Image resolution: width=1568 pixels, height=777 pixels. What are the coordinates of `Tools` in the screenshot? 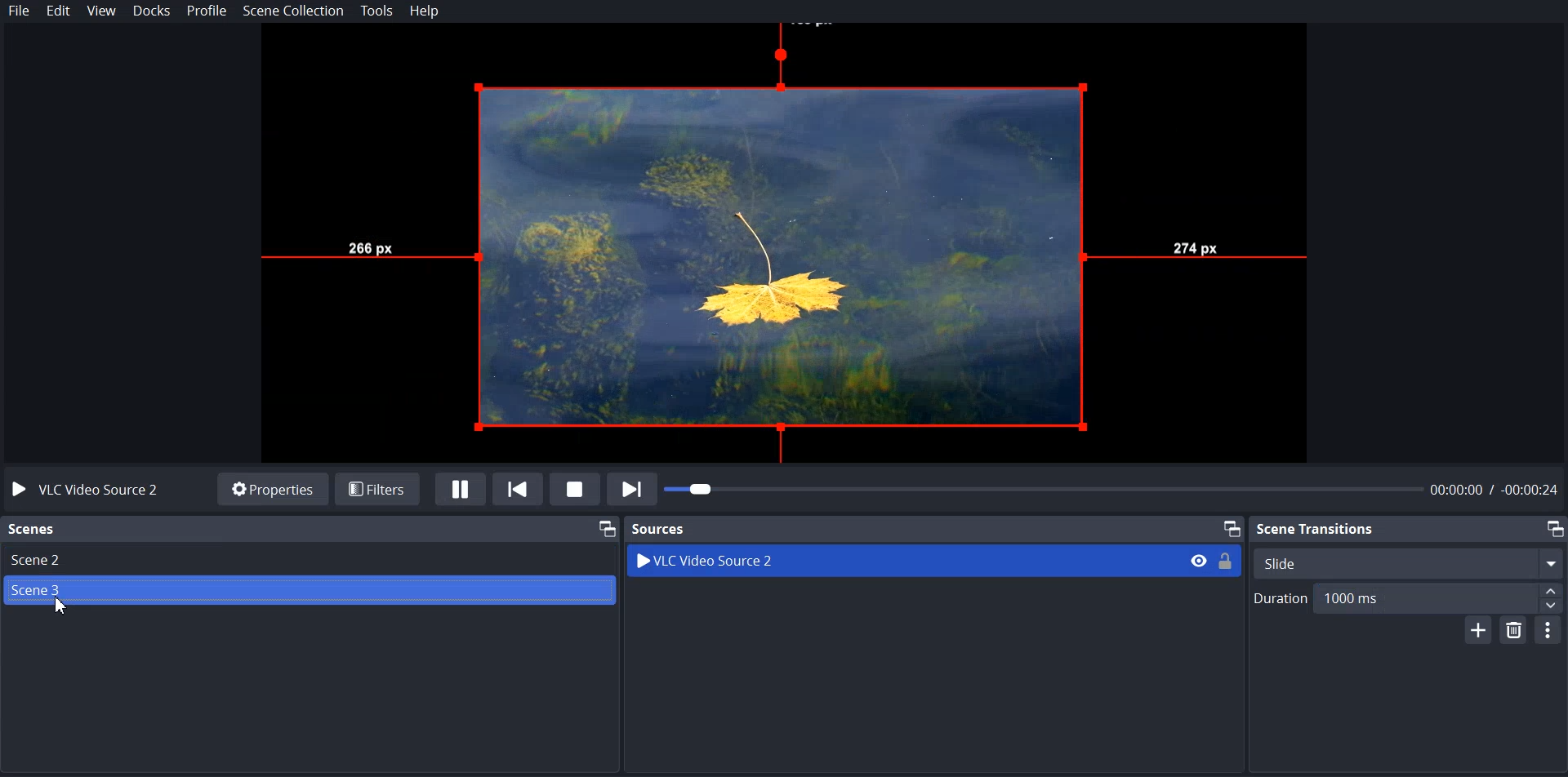 It's located at (377, 11).